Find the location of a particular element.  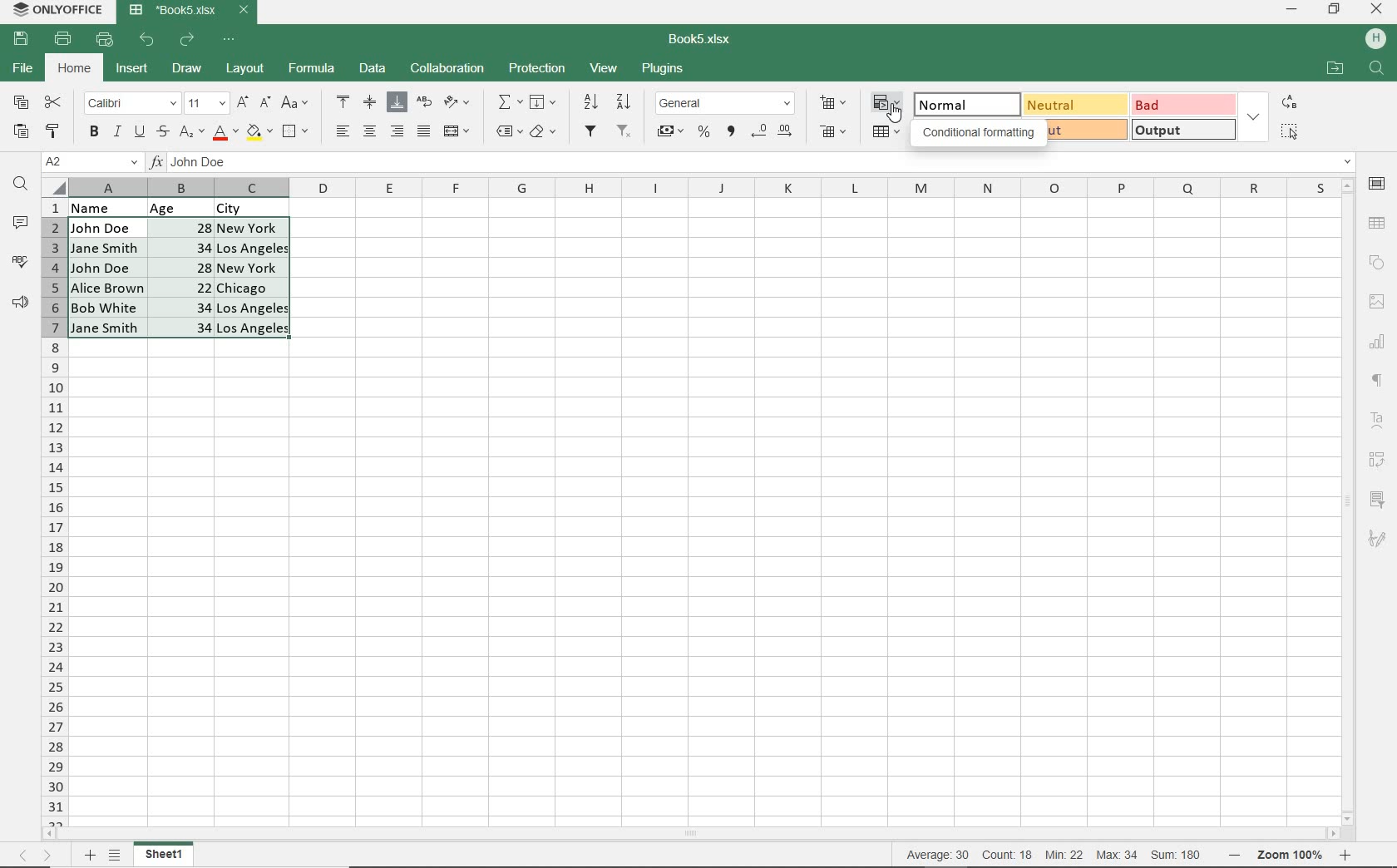

DATA is located at coordinates (373, 70).